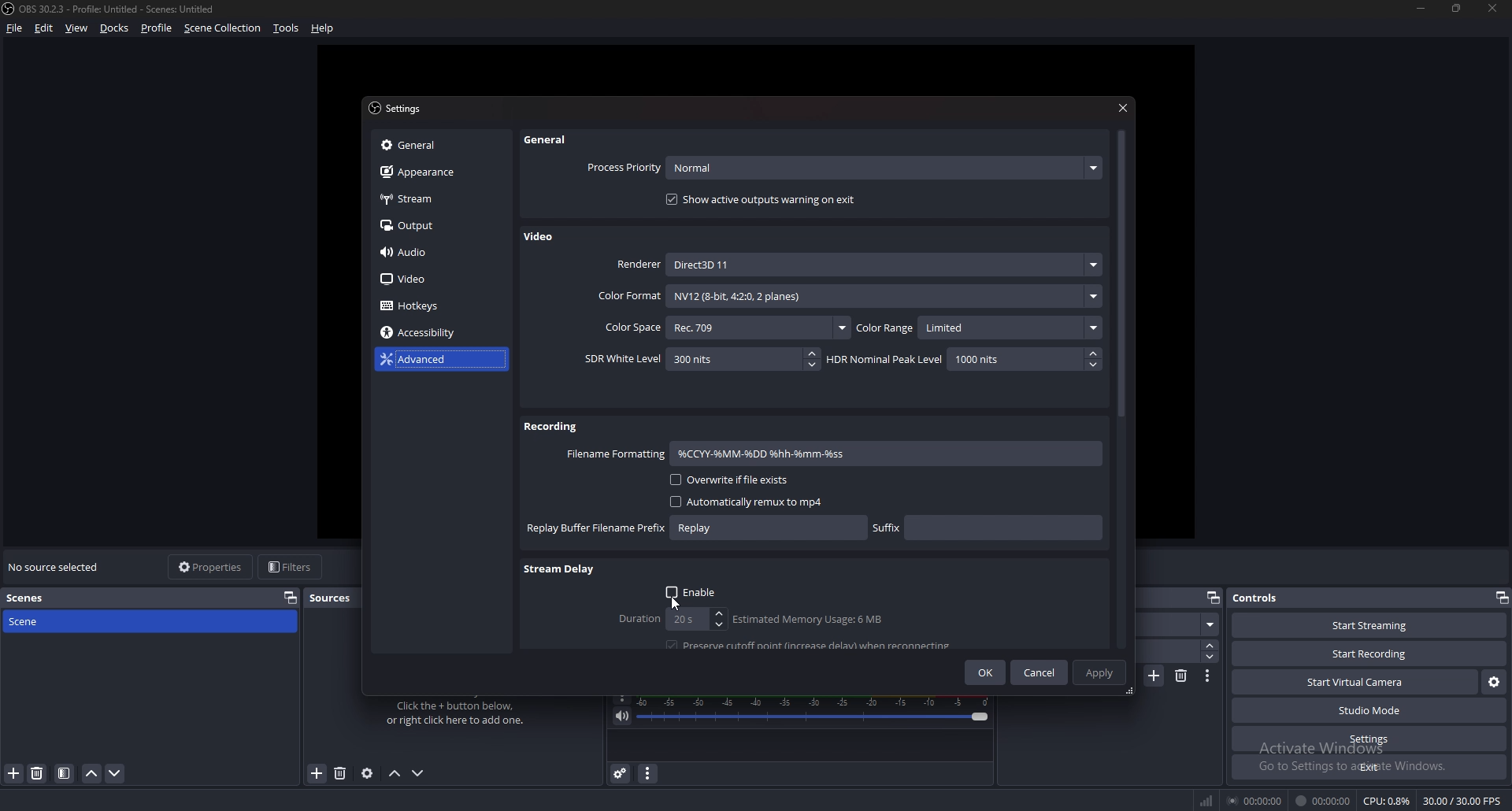  Describe the element at coordinates (1462, 802) in the screenshot. I see `30.00/30.00 FPS` at that location.